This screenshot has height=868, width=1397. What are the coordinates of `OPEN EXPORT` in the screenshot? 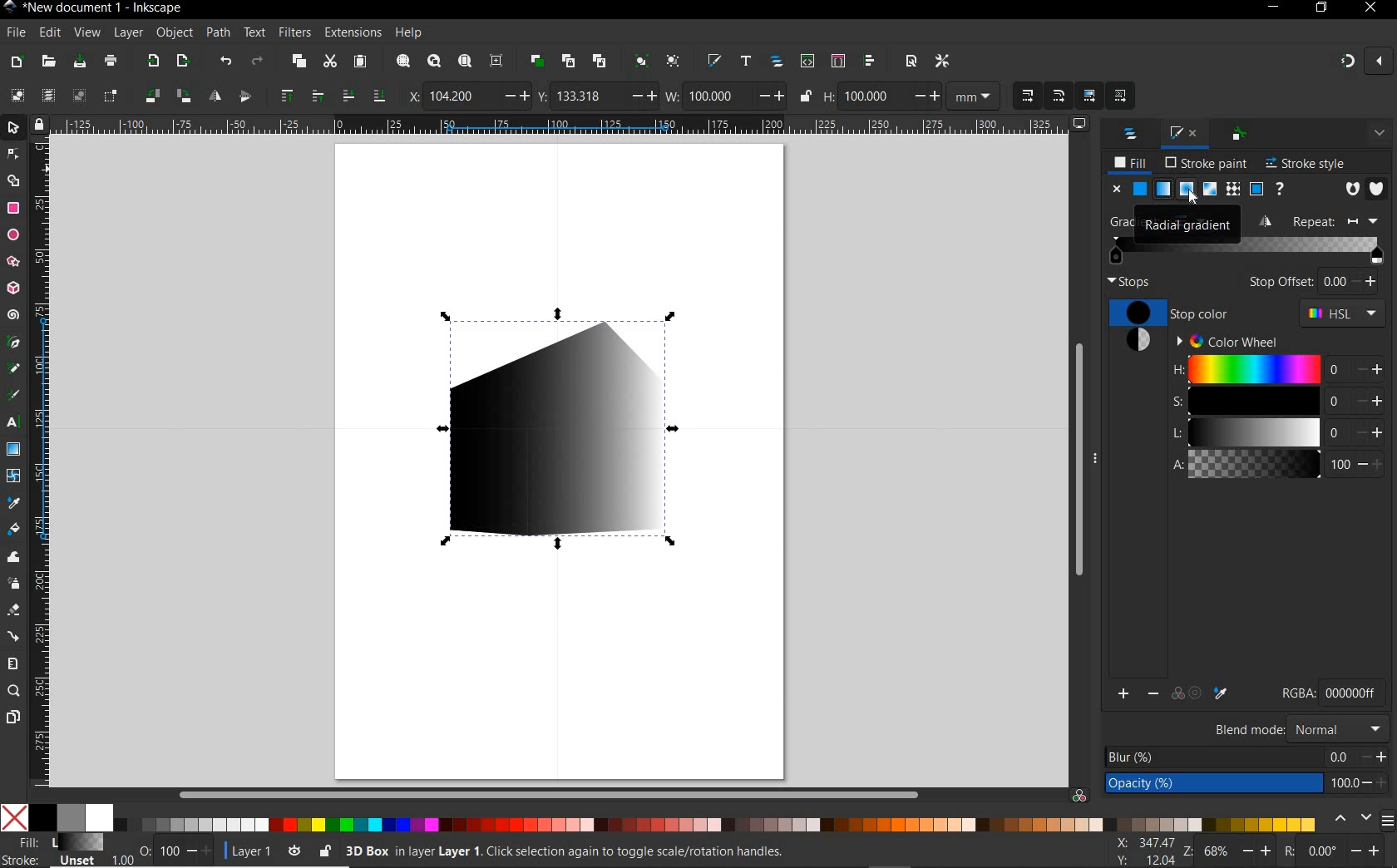 It's located at (183, 63).